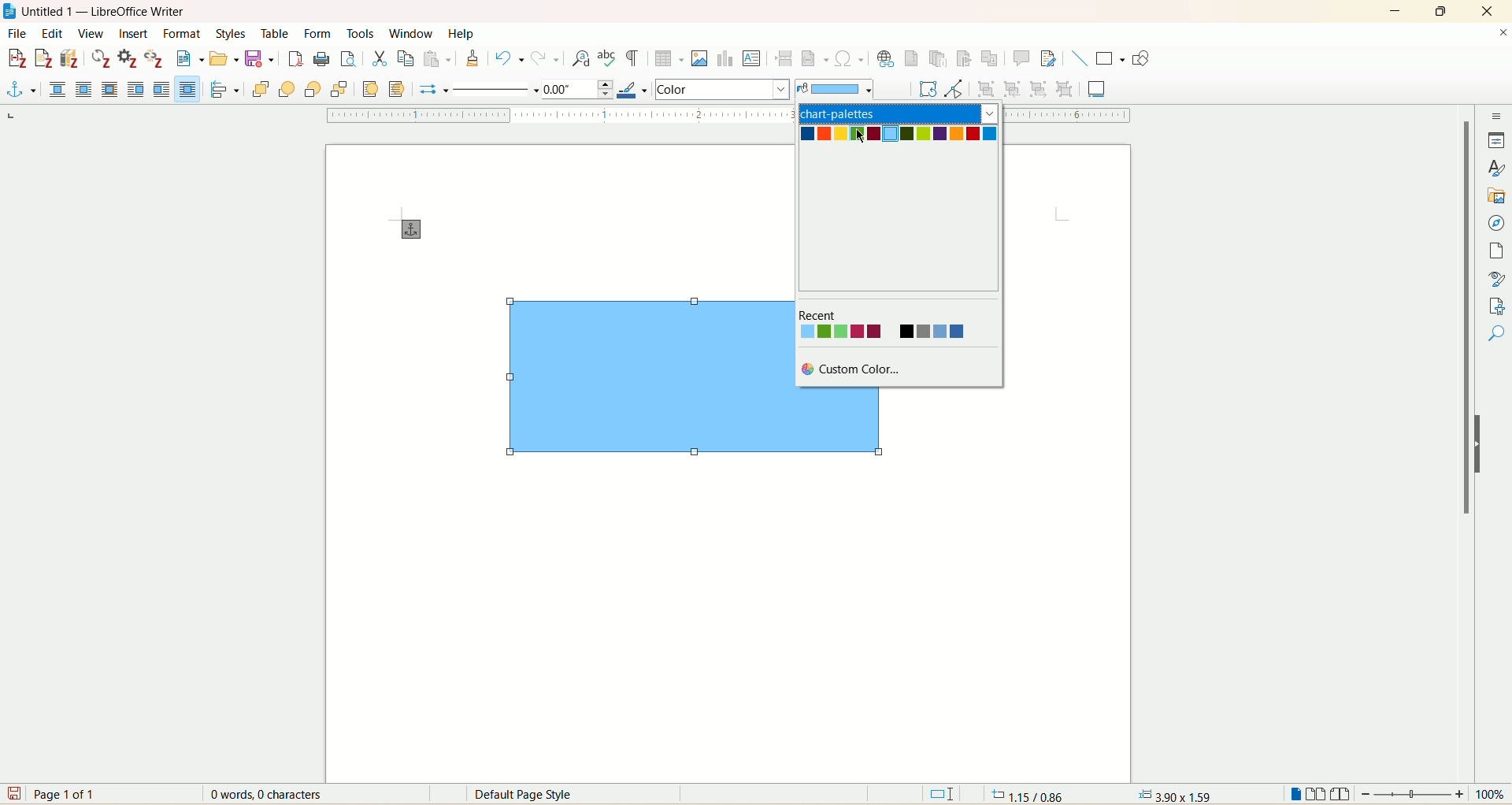  What do you see at coordinates (1503, 32) in the screenshot?
I see `close` at bounding box center [1503, 32].